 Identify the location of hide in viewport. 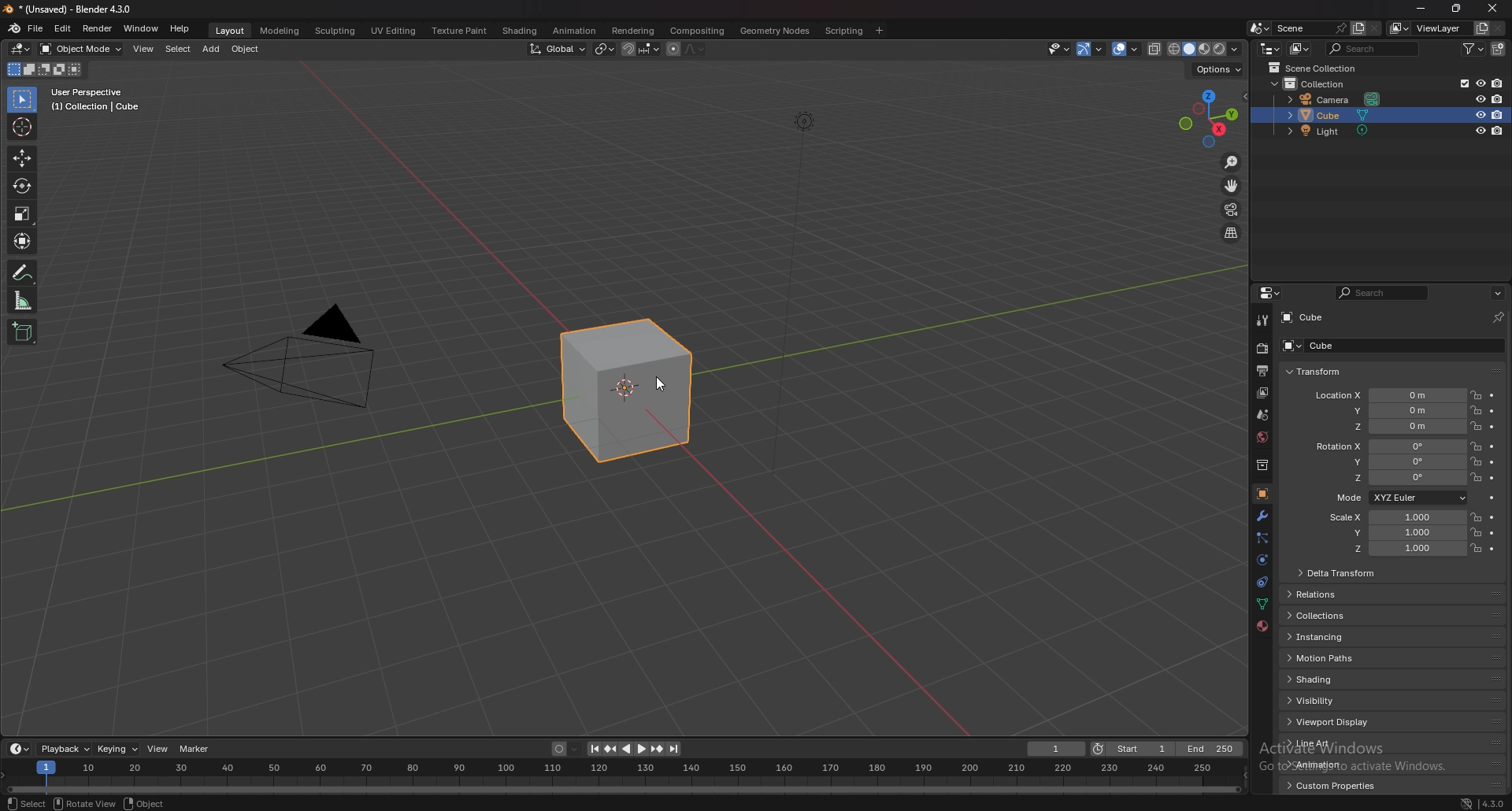
(1480, 114).